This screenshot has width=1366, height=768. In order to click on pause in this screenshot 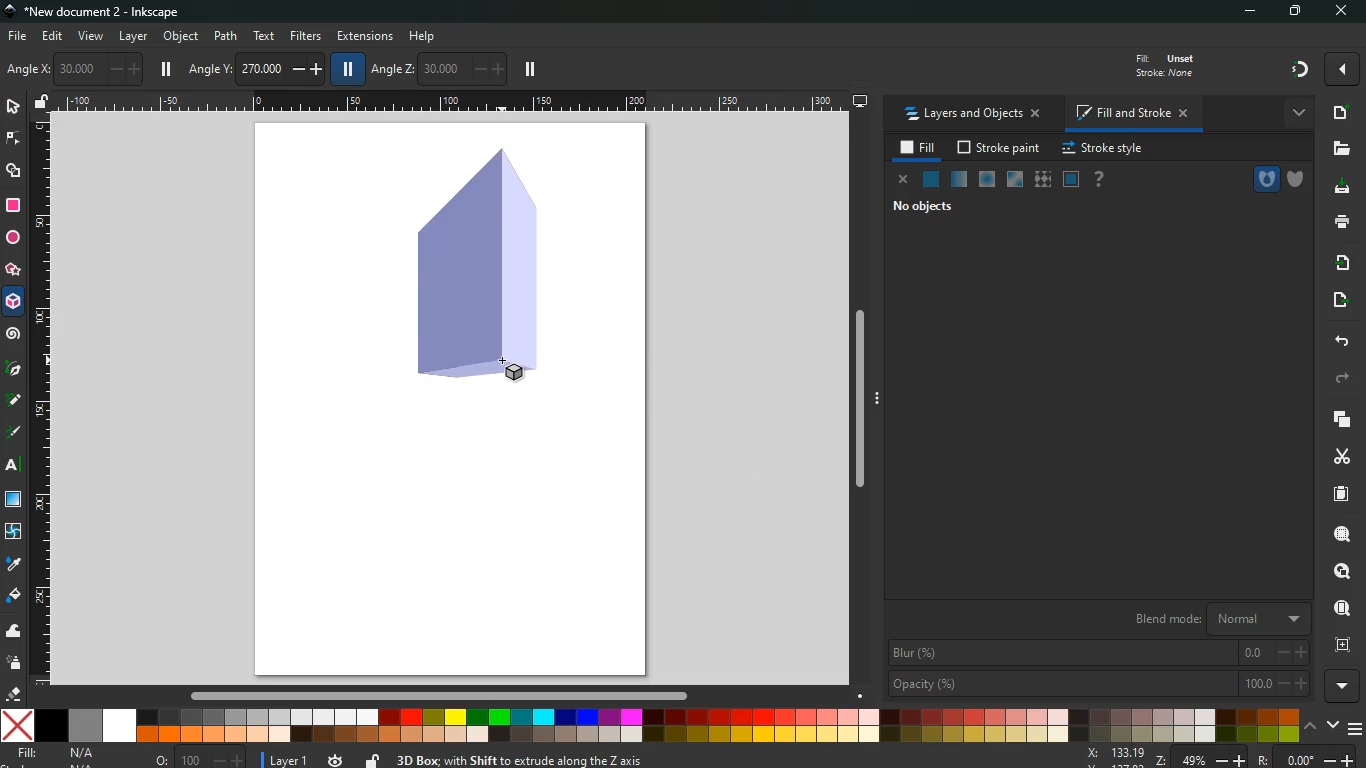, I will do `click(166, 69)`.